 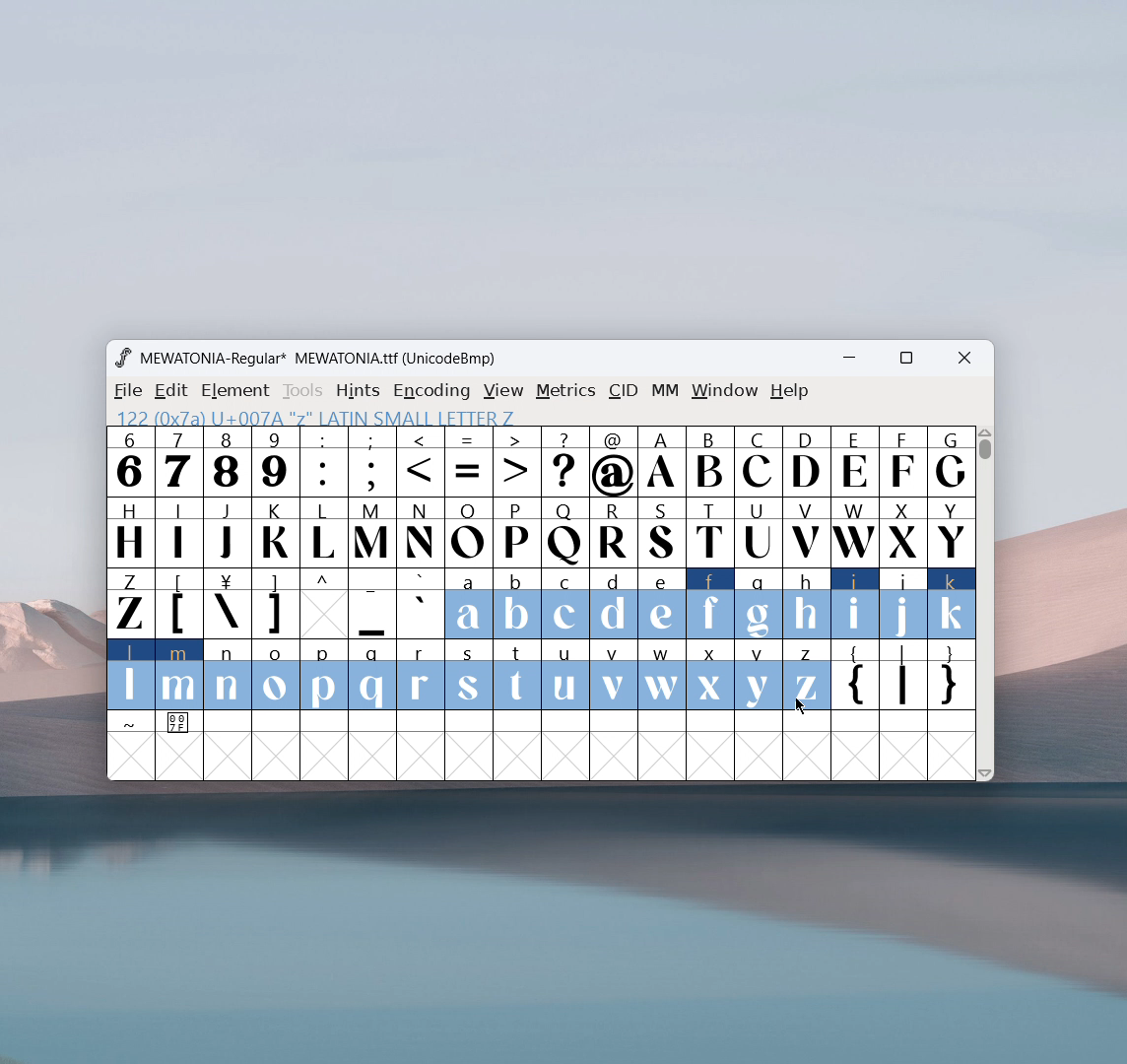 I want to click on Vertical, so click(x=986, y=601).